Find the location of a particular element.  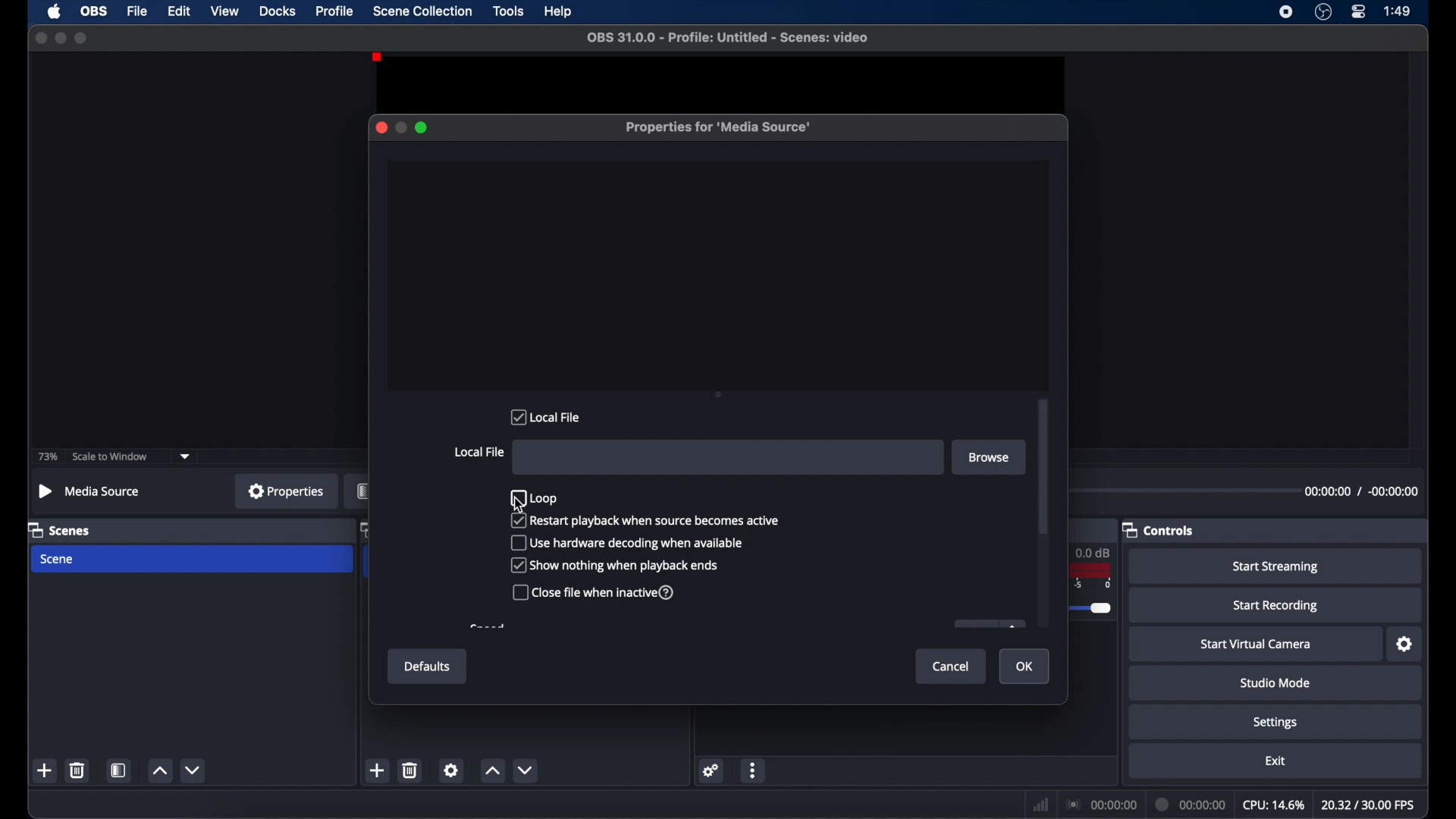

scale to window is located at coordinates (111, 457).